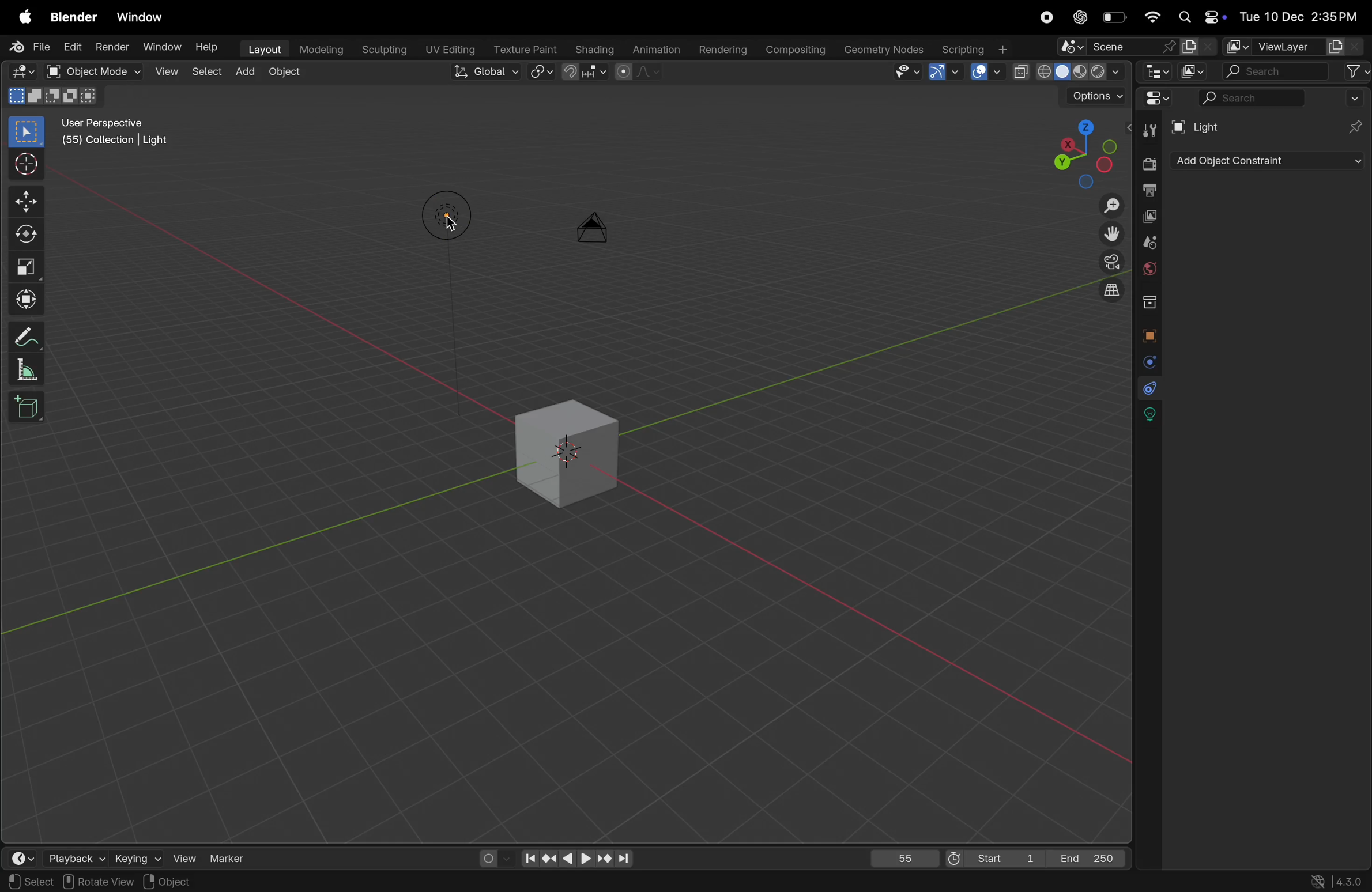 The width and height of the screenshot is (1372, 892). Describe the element at coordinates (98, 882) in the screenshot. I see `rotate` at that location.